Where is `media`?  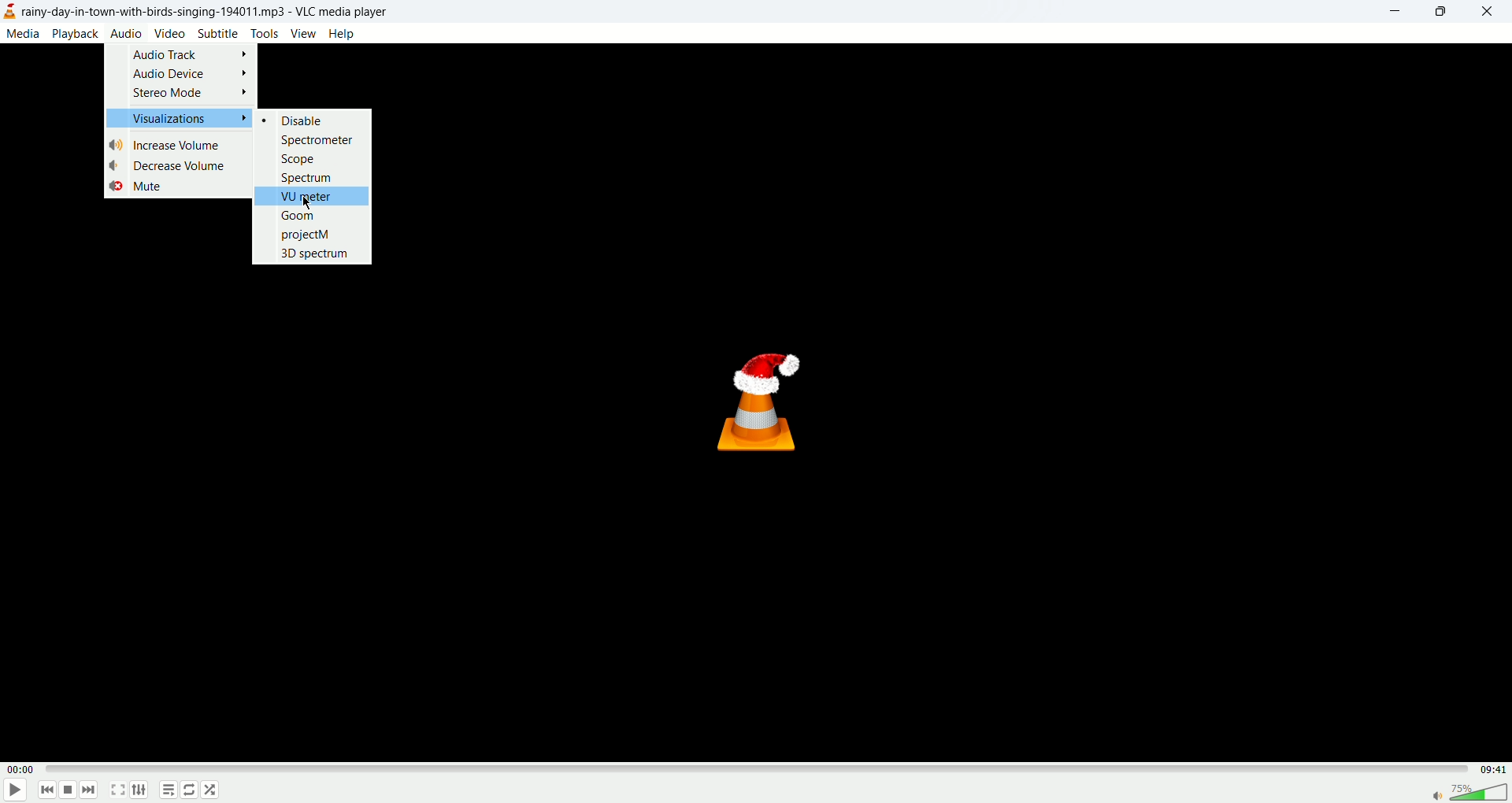 media is located at coordinates (25, 35).